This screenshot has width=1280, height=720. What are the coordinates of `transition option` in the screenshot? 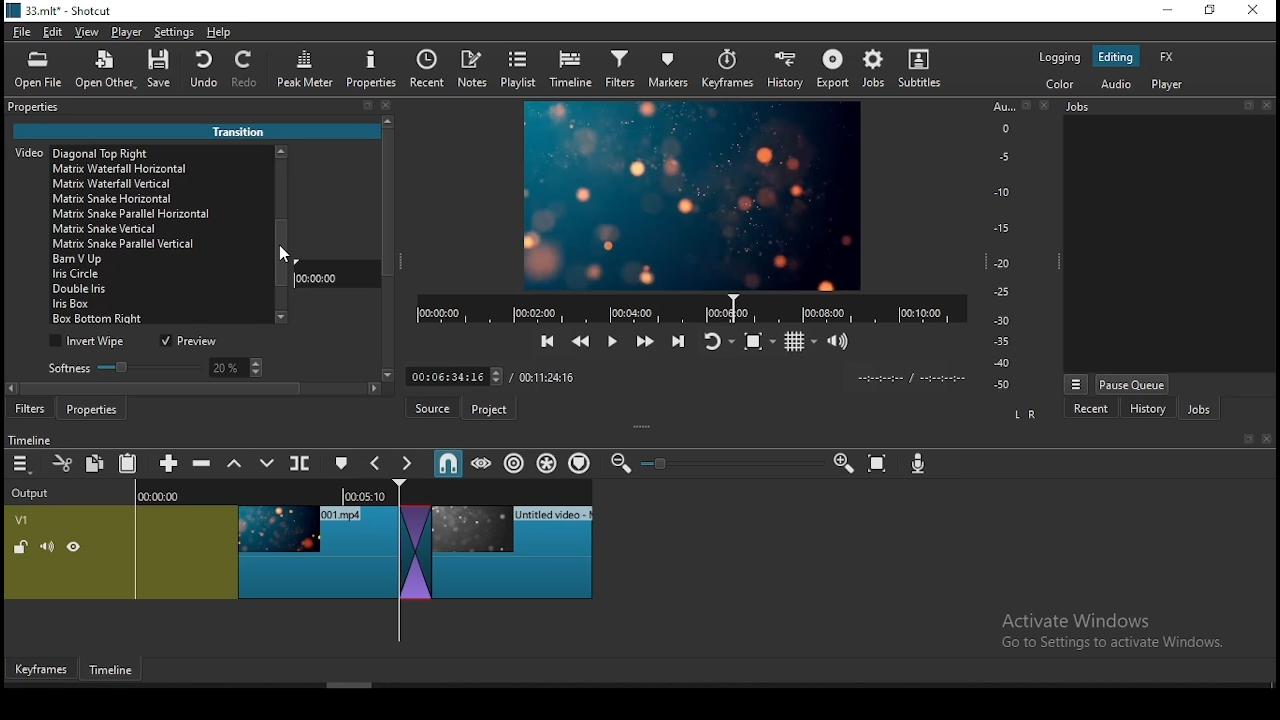 It's located at (156, 230).